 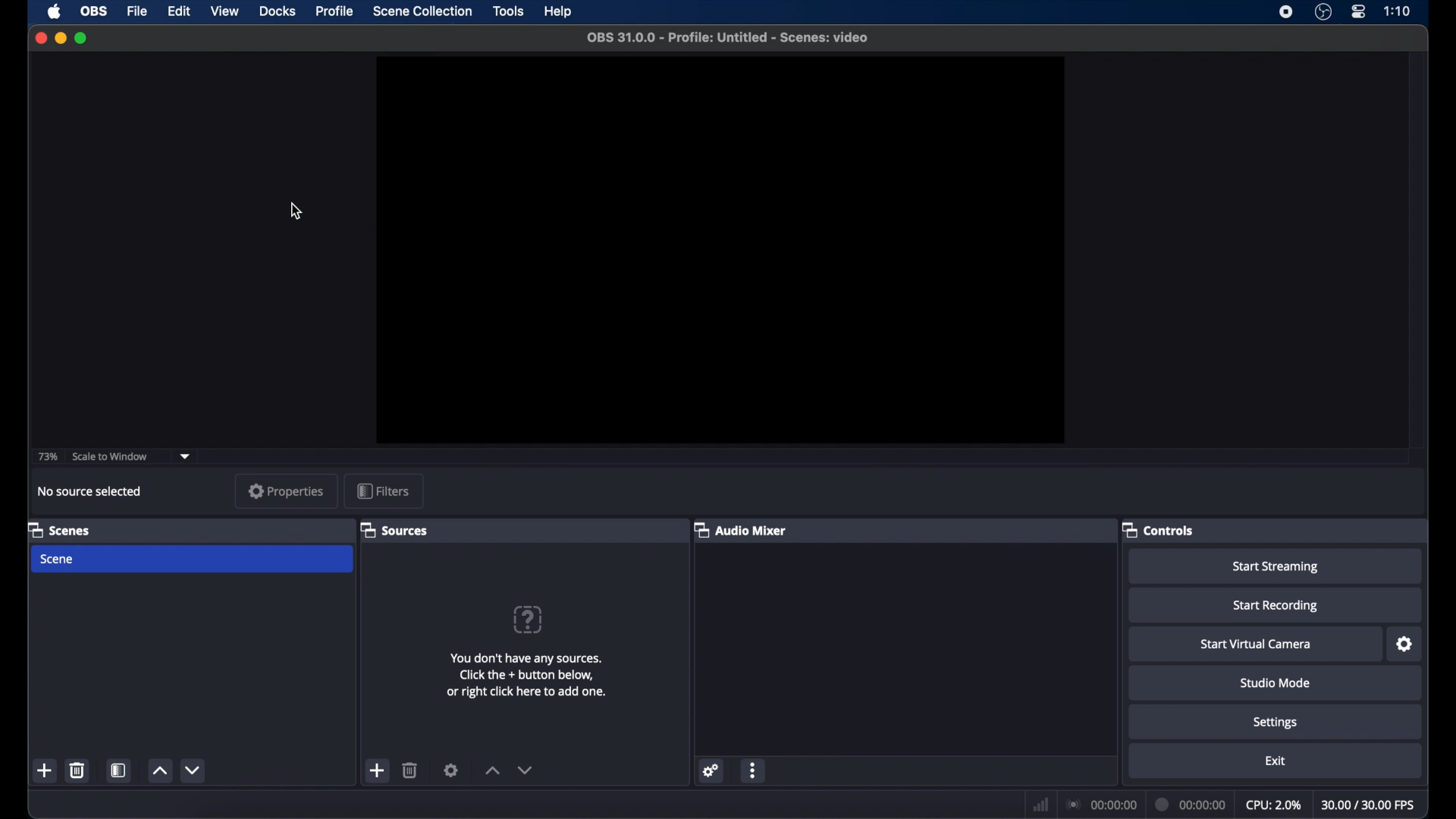 I want to click on settings, so click(x=1277, y=723).